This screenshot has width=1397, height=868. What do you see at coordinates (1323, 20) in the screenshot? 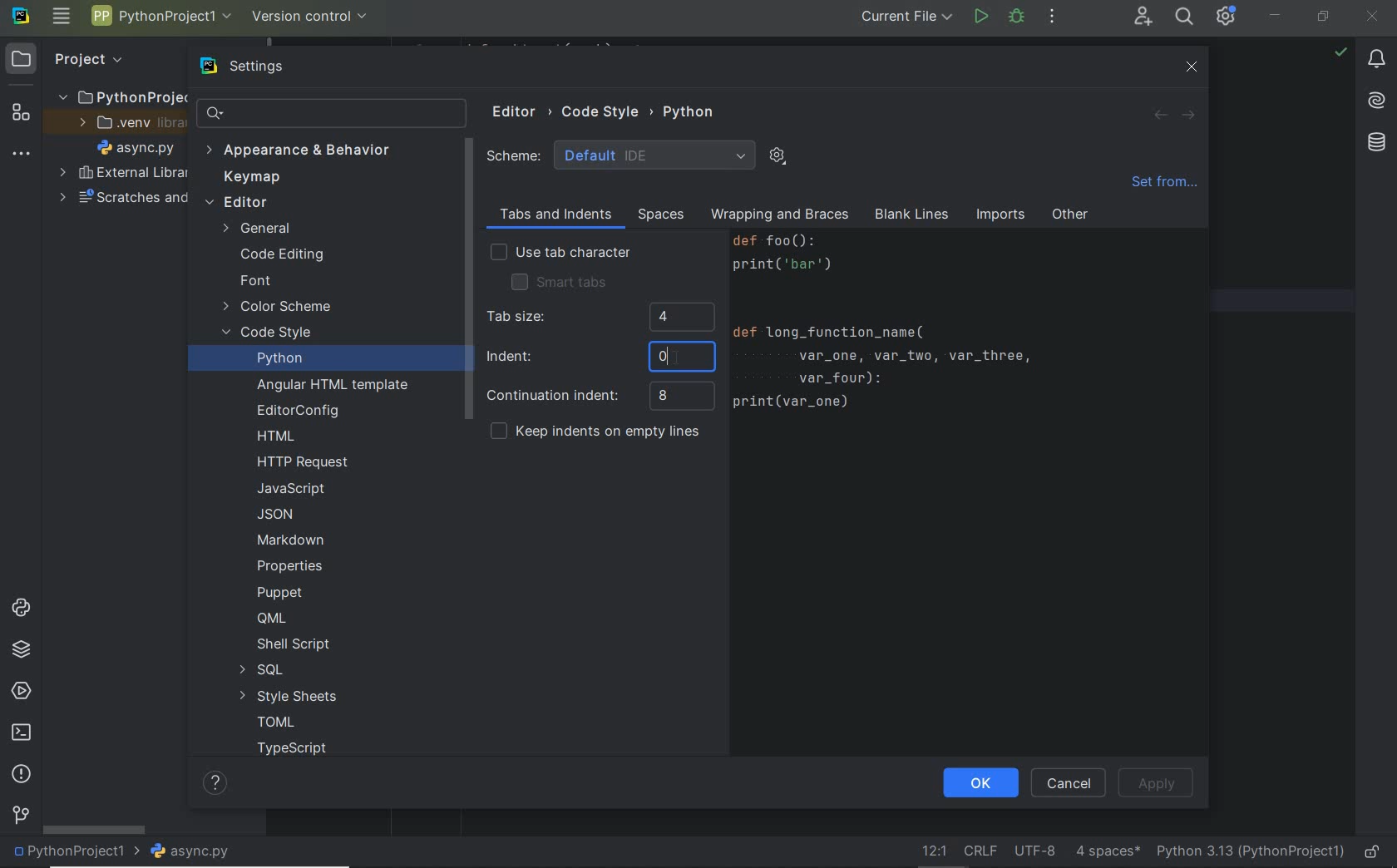
I see `restore down` at bounding box center [1323, 20].